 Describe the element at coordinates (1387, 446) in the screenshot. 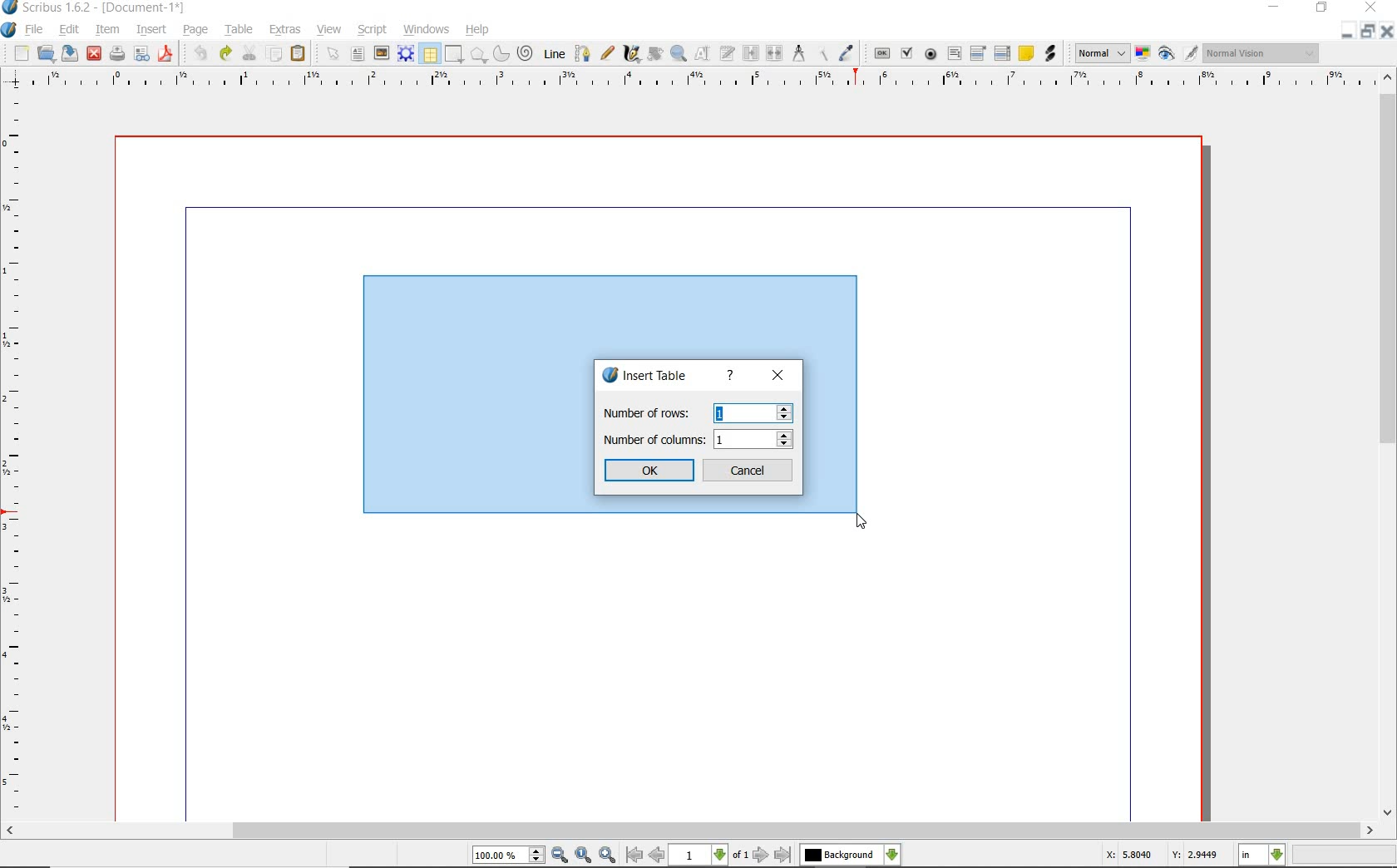

I see `scrollbar` at that location.